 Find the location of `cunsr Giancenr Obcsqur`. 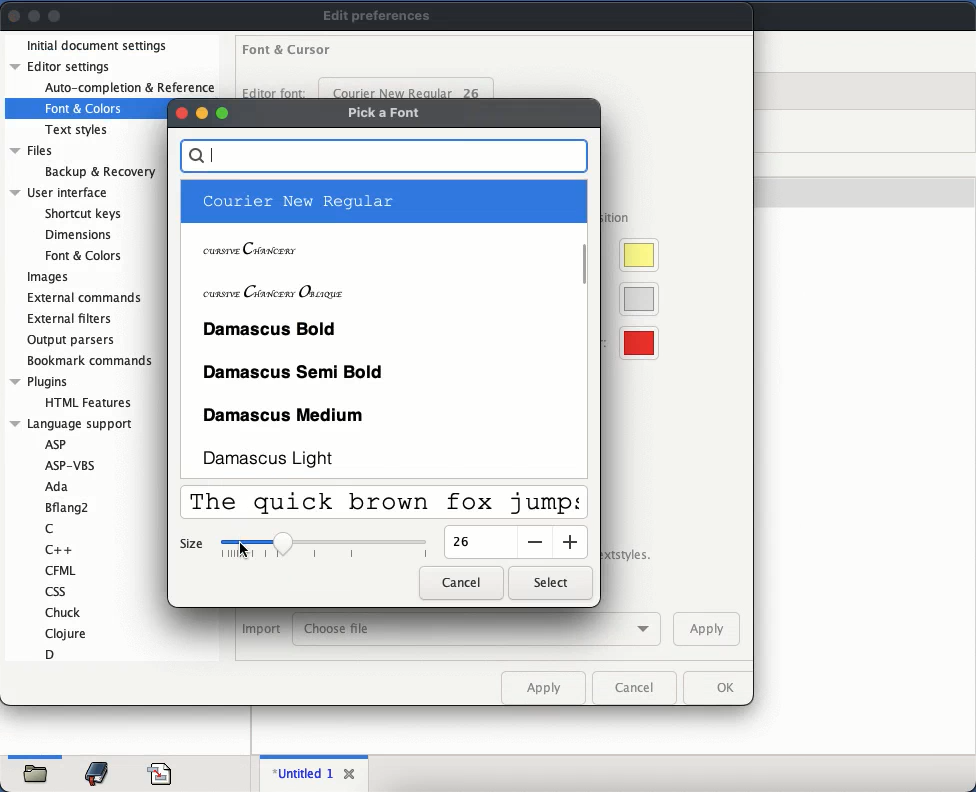

cunsr Giancenr Obcsqur is located at coordinates (274, 291).